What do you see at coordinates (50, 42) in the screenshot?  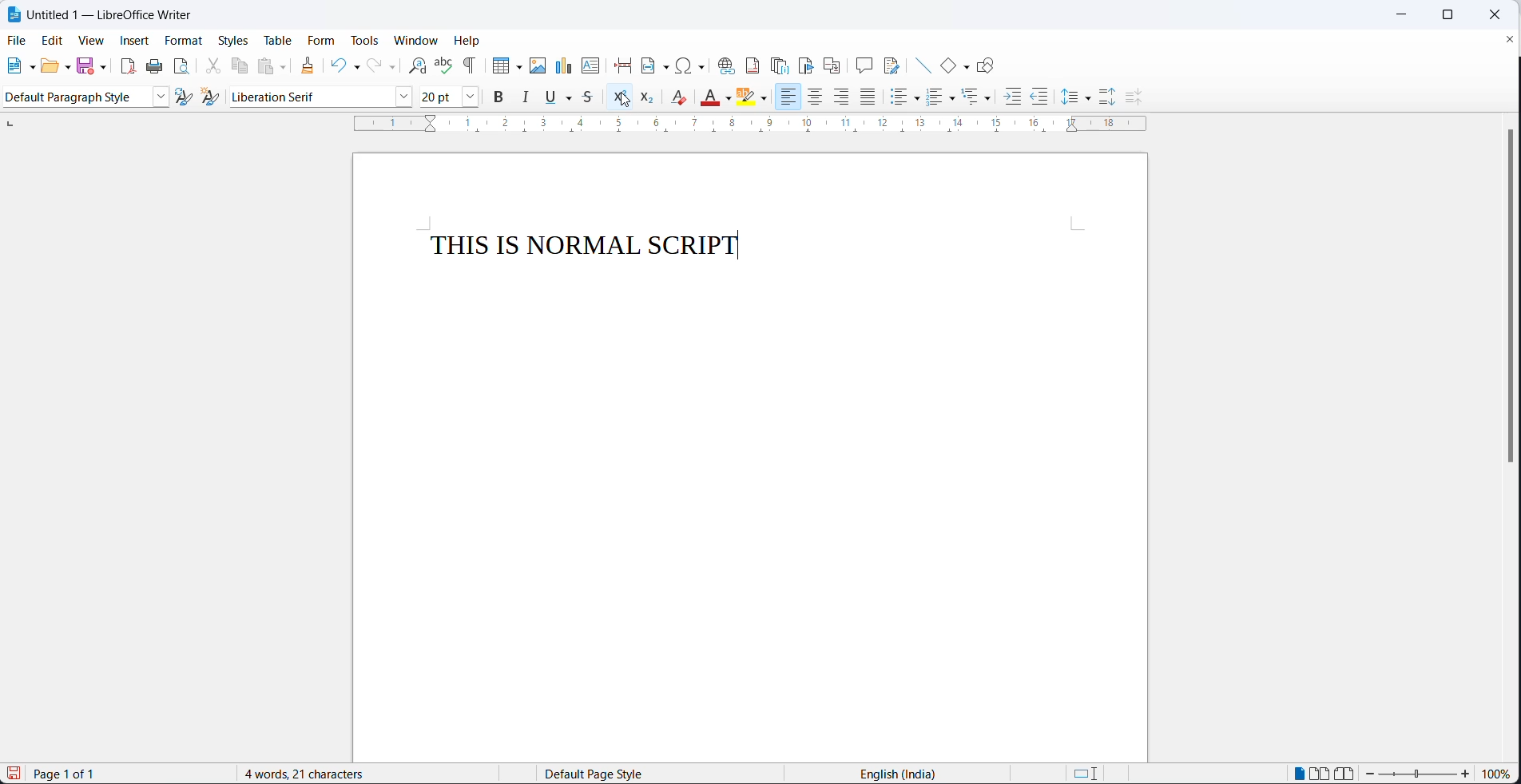 I see `edit` at bounding box center [50, 42].